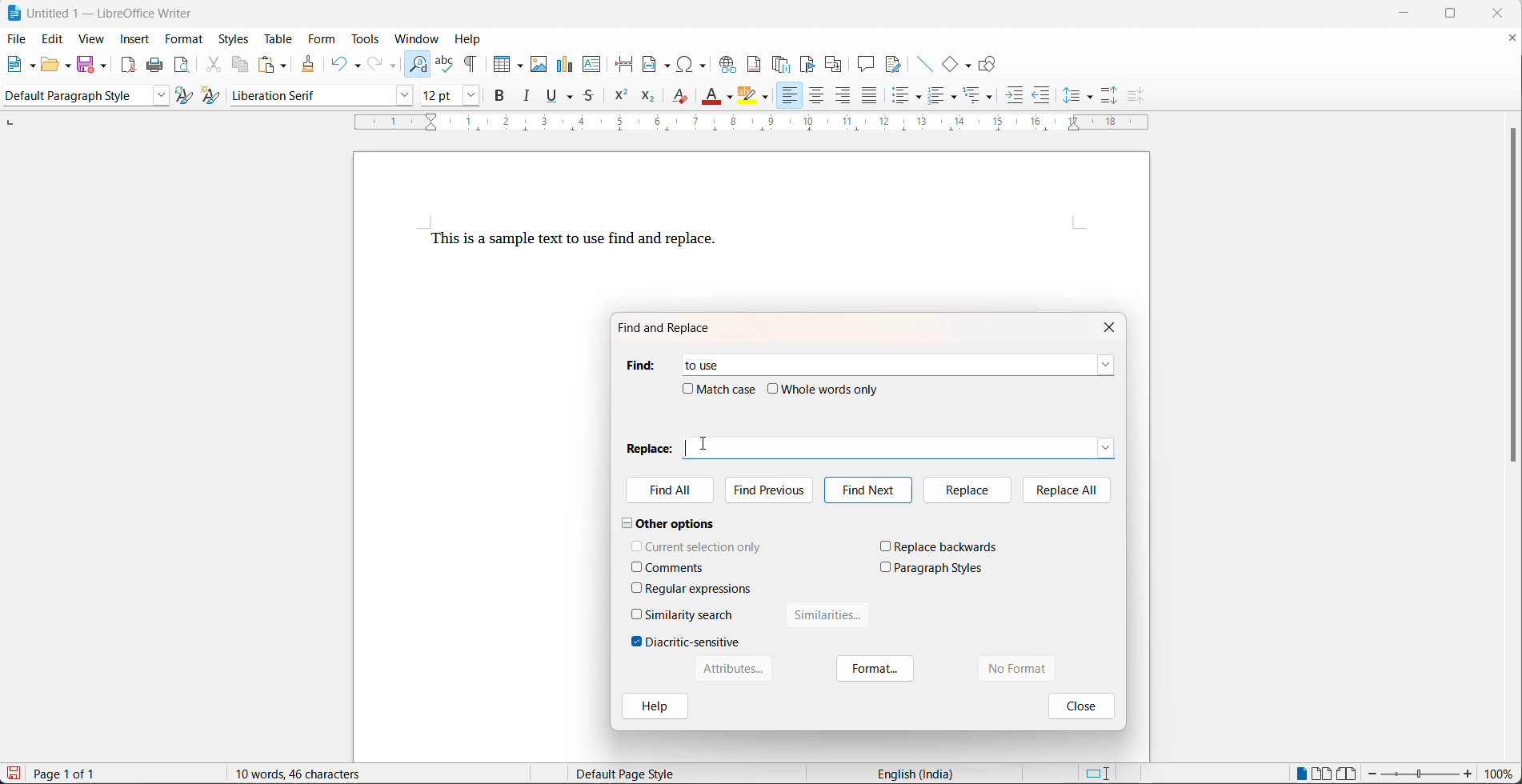 Image resolution: width=1522 pixels, height=784 pixels. Describe the element at coordinates (817, 97) in the screenshot. I see `text align center` at that location.